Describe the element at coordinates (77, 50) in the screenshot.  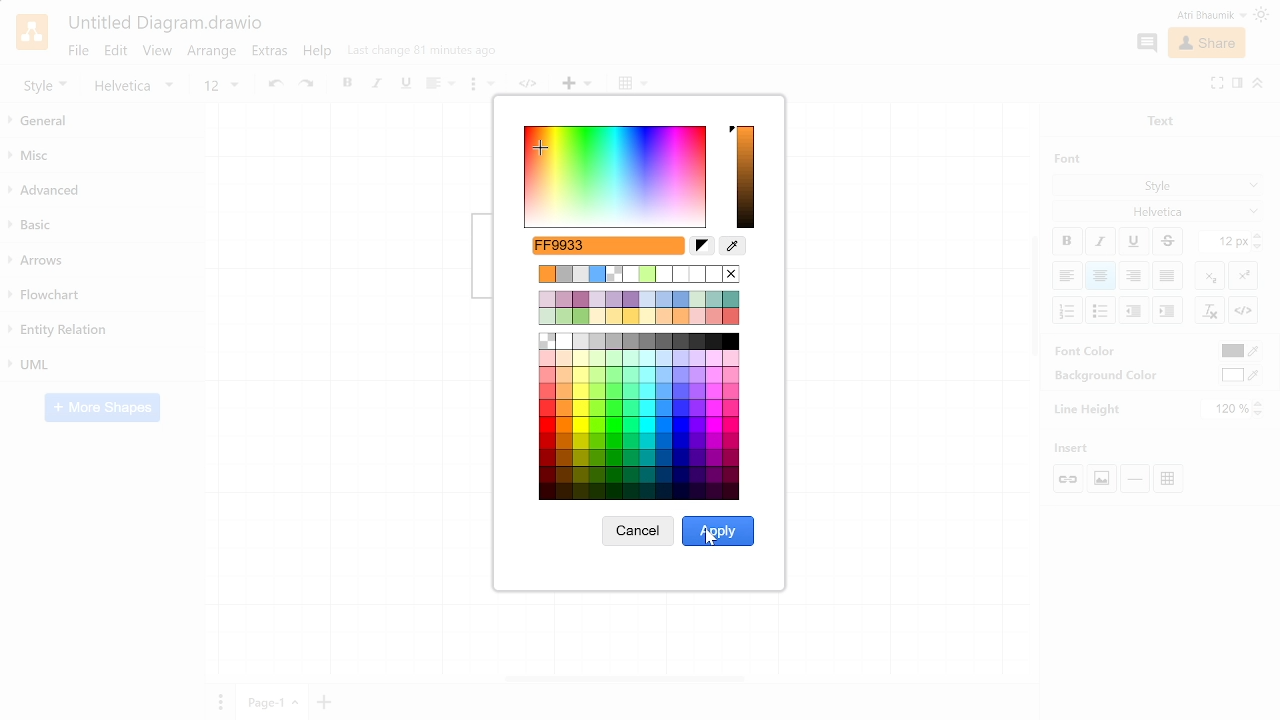
I see `File` at that location.